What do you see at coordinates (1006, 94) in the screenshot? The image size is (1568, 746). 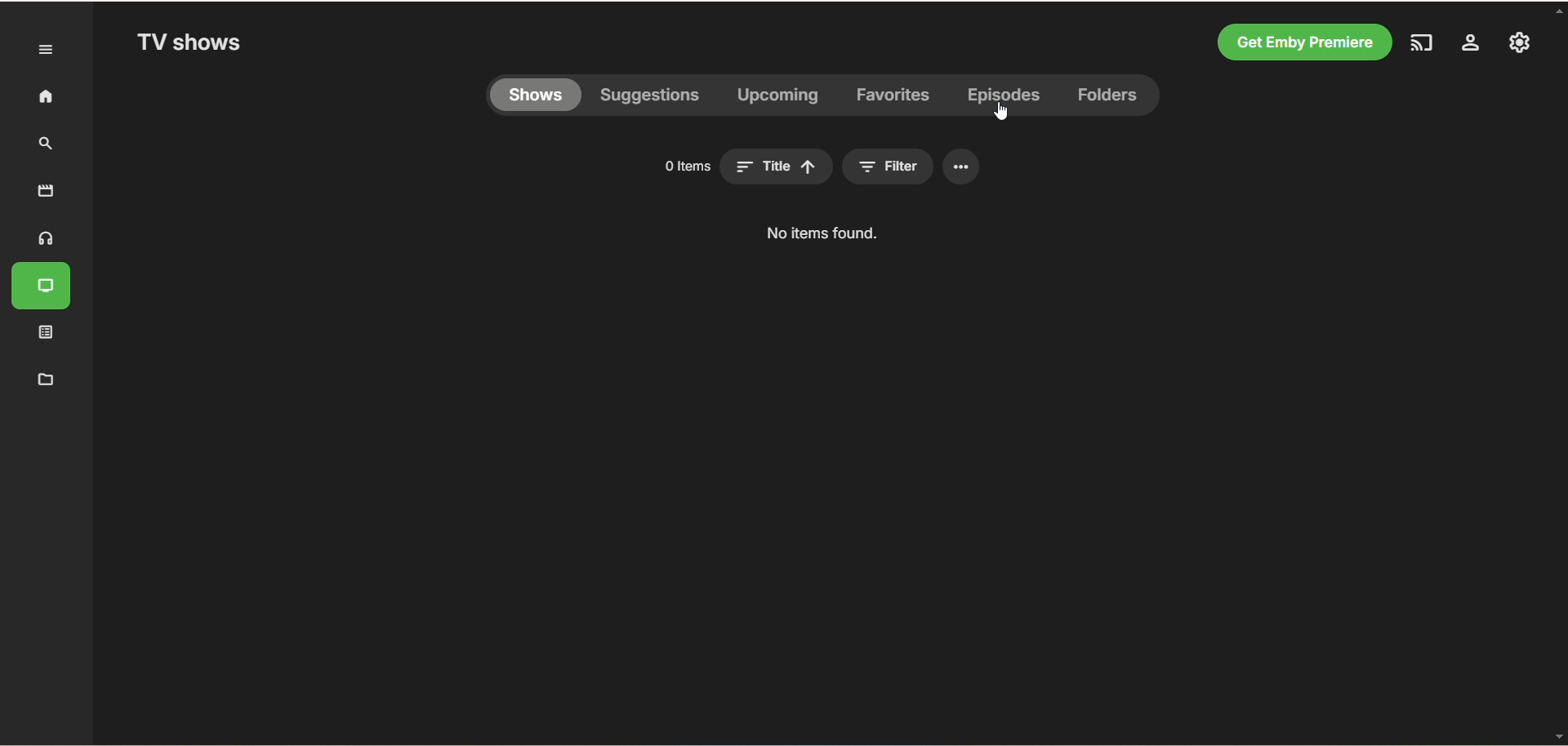 I see `episodes` at bounding box center [1006, 94].